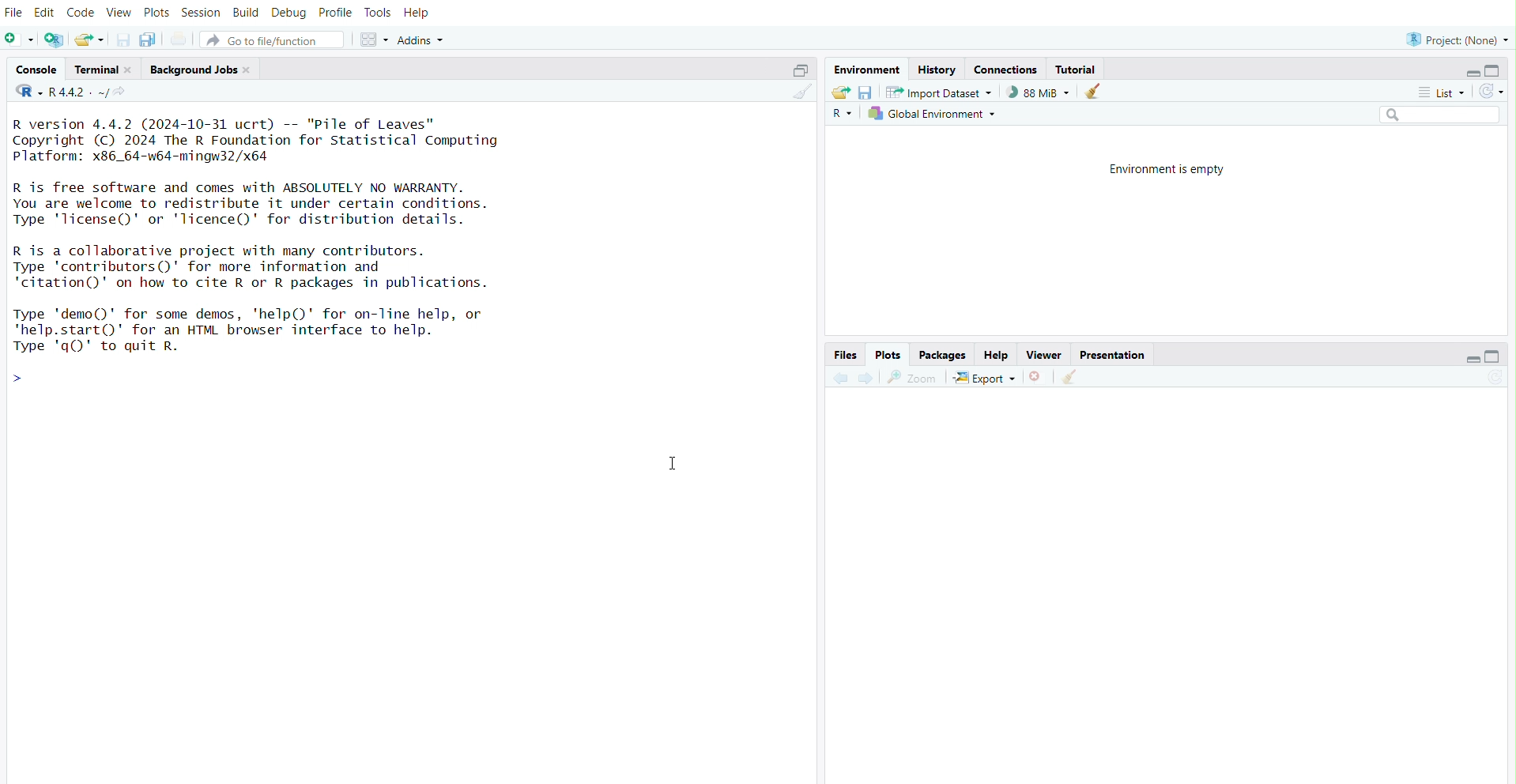 The image size is (1516, 784). What do you see at coordinates (1501, 356) in the screenshot?
I see `maximize` at bounding box center [1501, 356].